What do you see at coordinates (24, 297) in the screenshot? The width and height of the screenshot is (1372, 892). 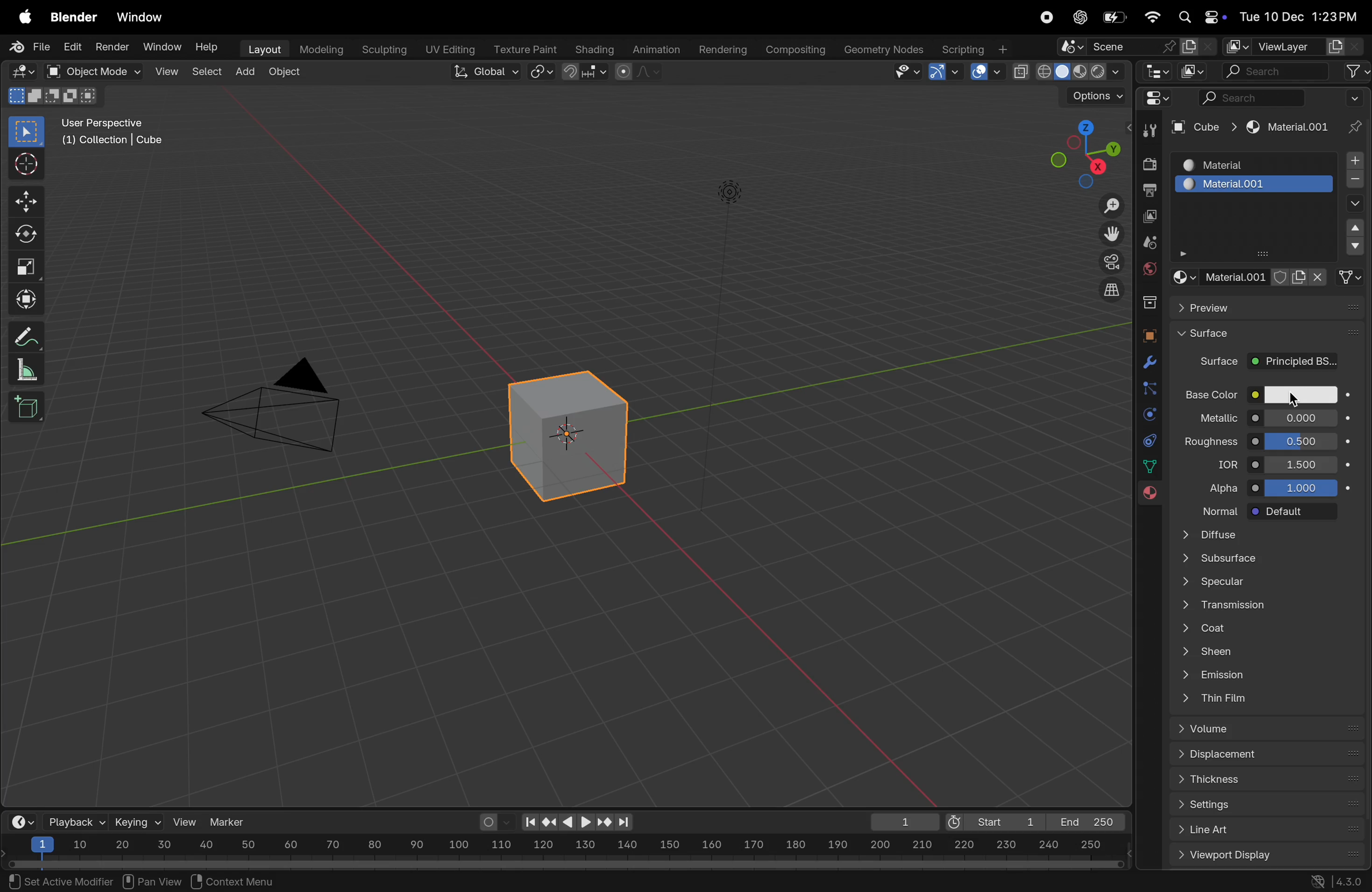 I see `transform` at bounding box center [24, 297].